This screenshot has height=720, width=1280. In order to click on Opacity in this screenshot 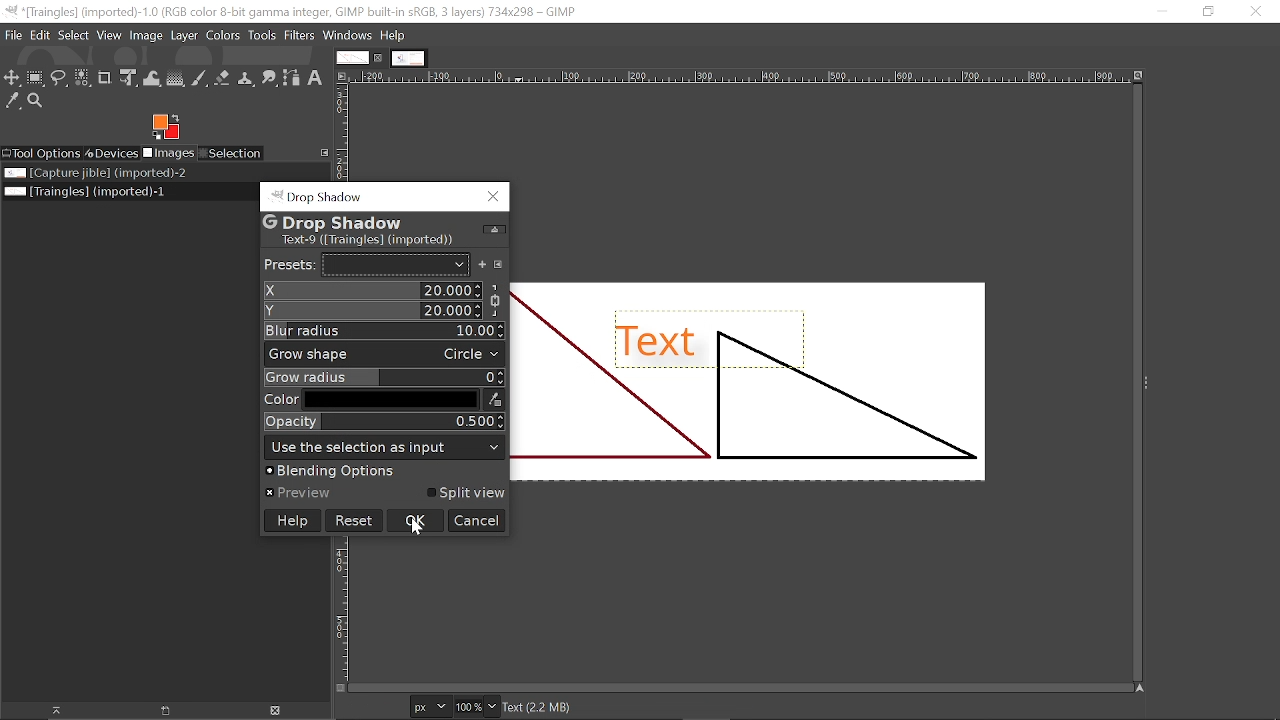, I will do `click(386, 422)`.